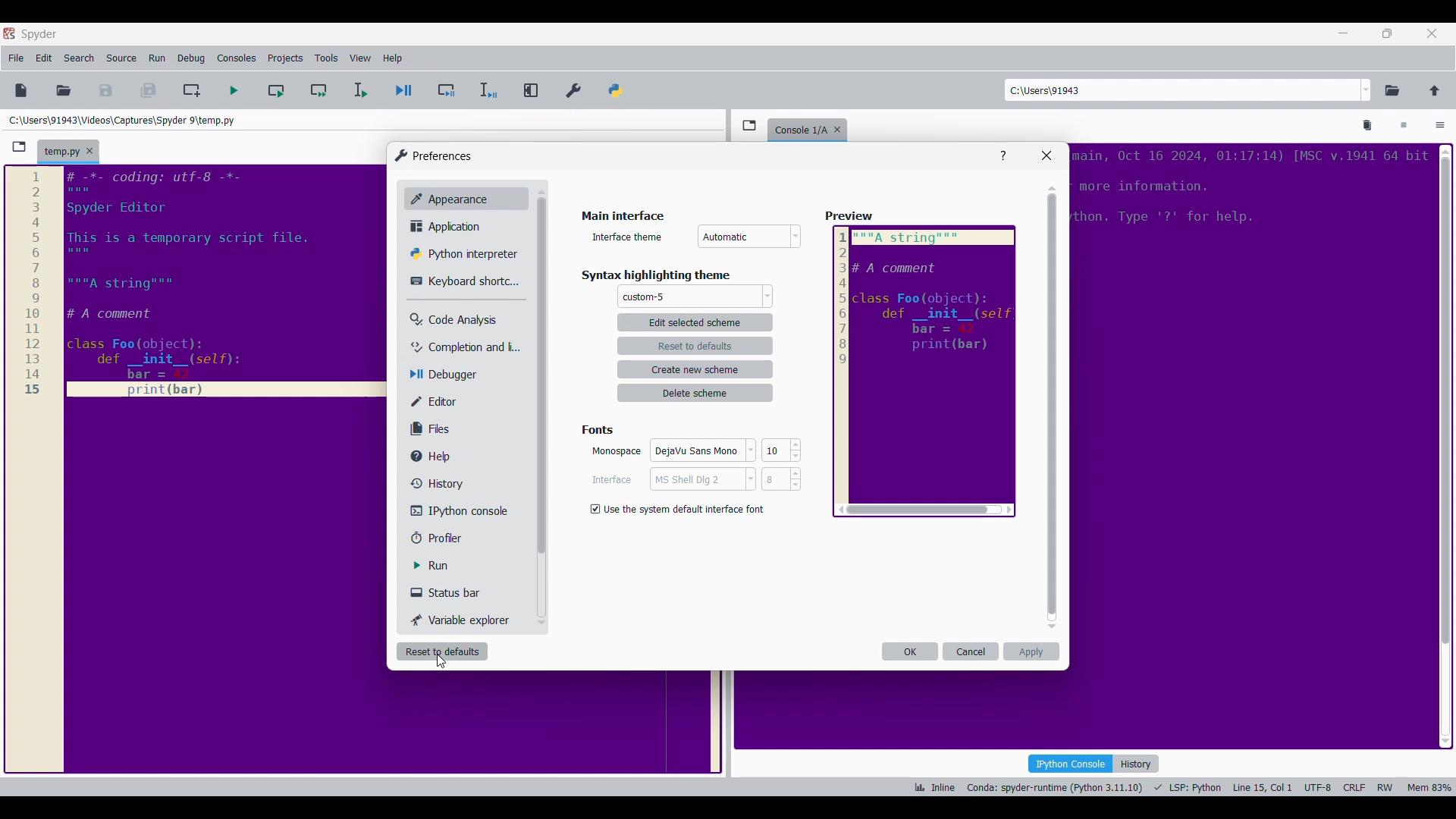 The width and height of the screenshot is (1456, 819). Describe the element at coordinates (1052, 406) in the screenshot. I see `Vertical slide bar` at that location.